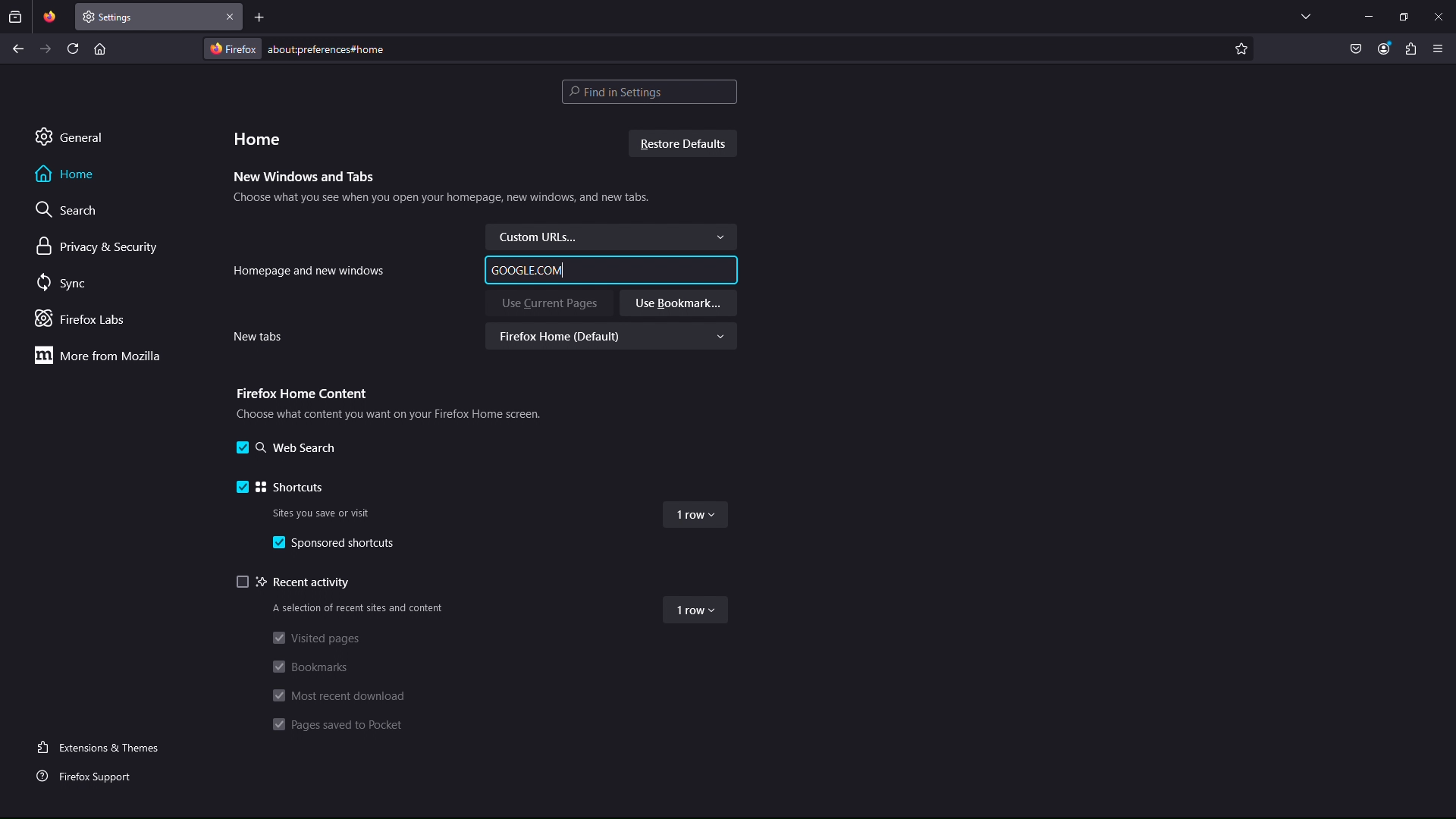 The width and height of the screenshot is (1456, 819). Describe the element at coordinates (616, 337) in the screenshot. I see `Firefox Home` at that location.